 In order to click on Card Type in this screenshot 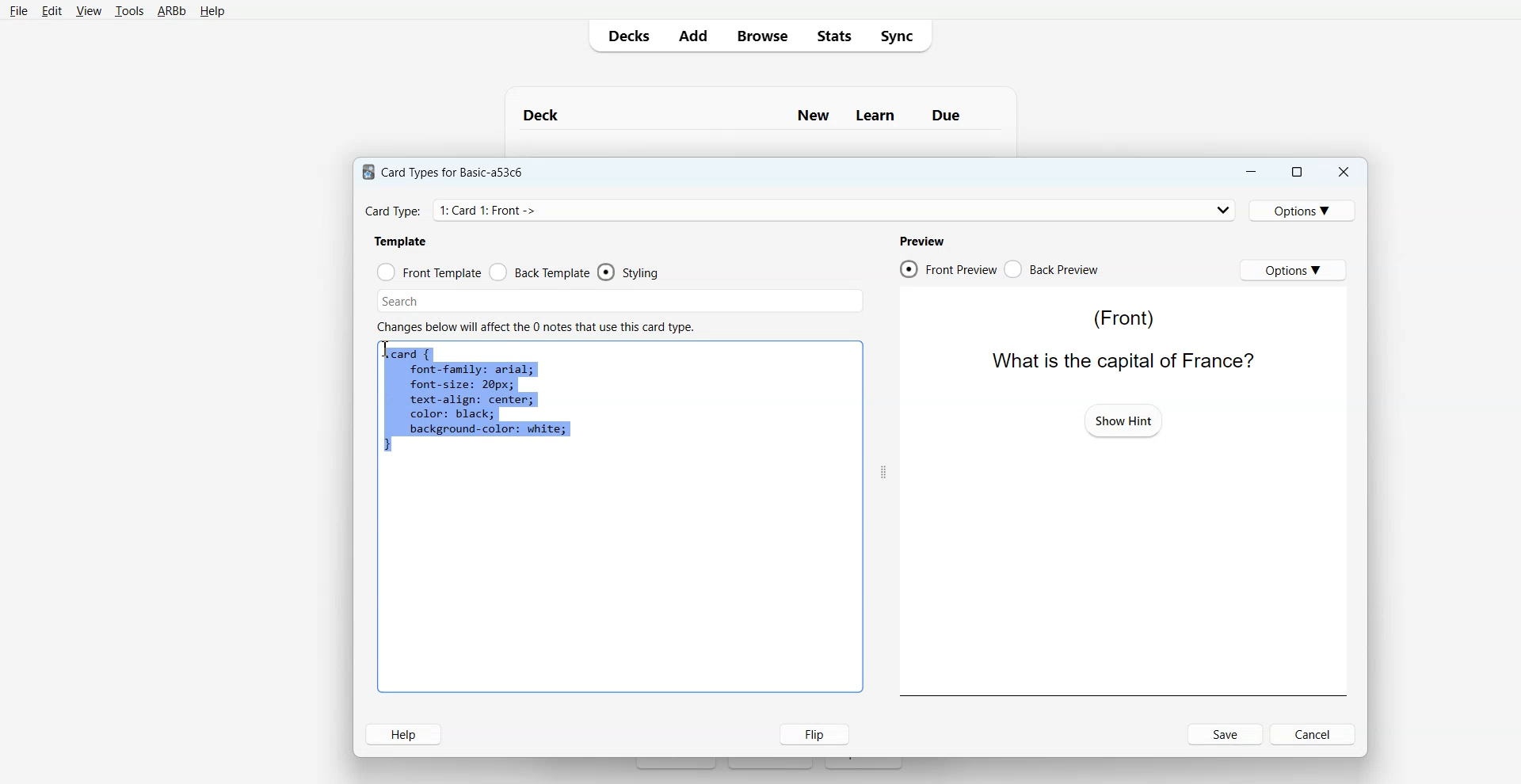, I will do `click(801, 210)`.